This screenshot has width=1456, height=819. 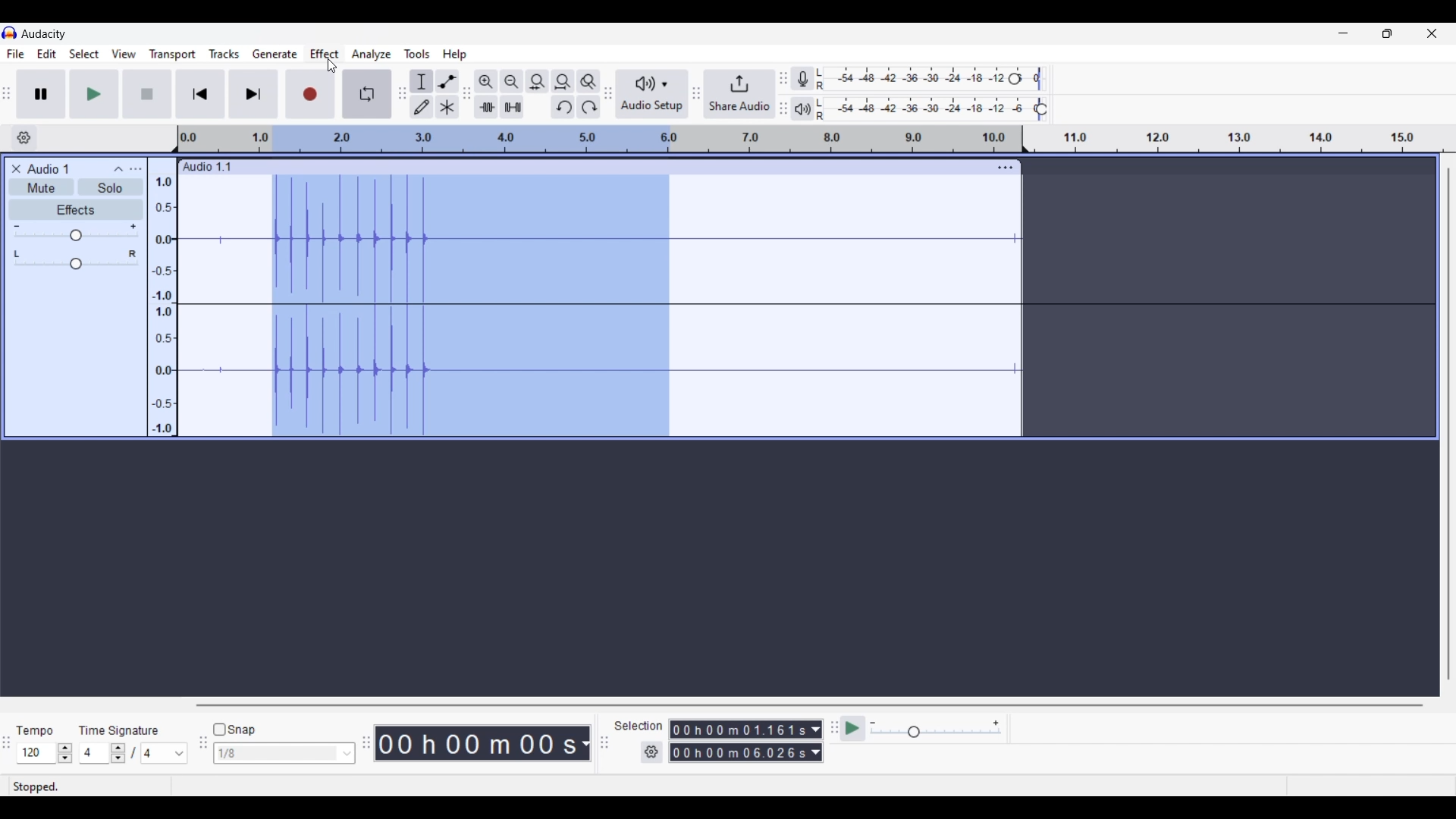 What do you see at coordinates (1246, 139) in the screenshot?
I see `Scale to measure duration of recording` at bounding box center [1246, 139].